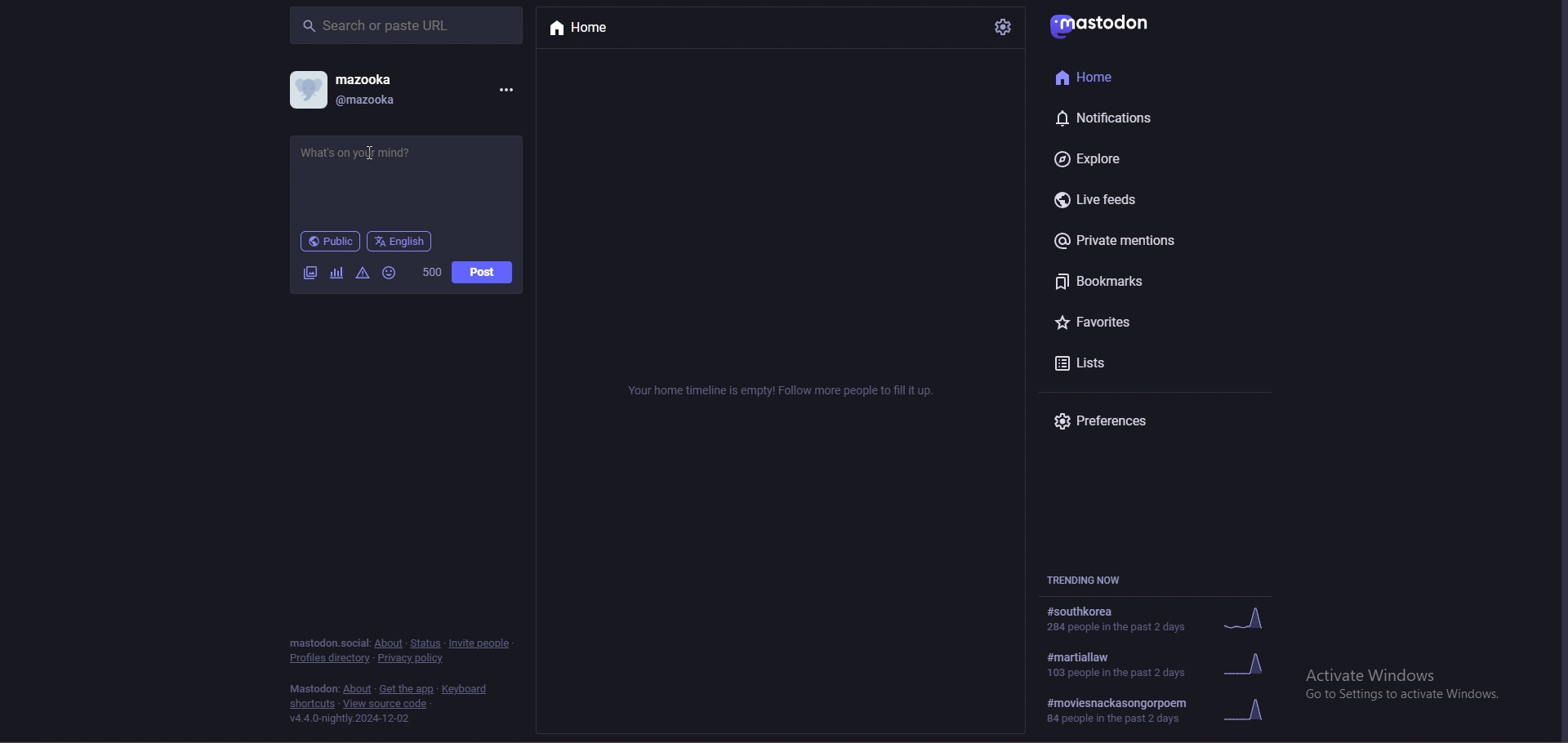 The image size is (1568, 743). I want to click on language, so click(401, 241).